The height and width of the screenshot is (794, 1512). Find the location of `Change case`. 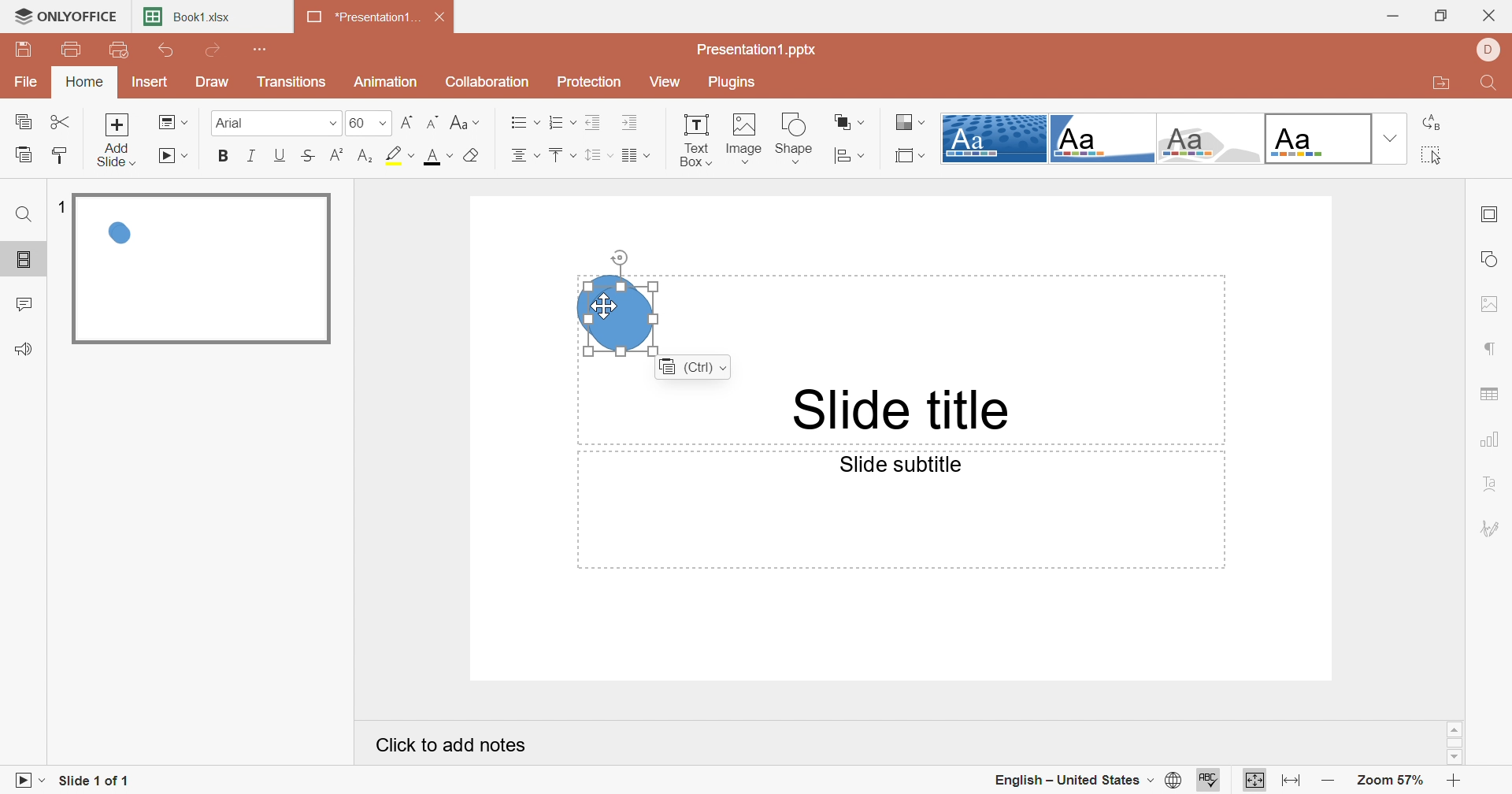

Change case is located at coordinates (465, 121).